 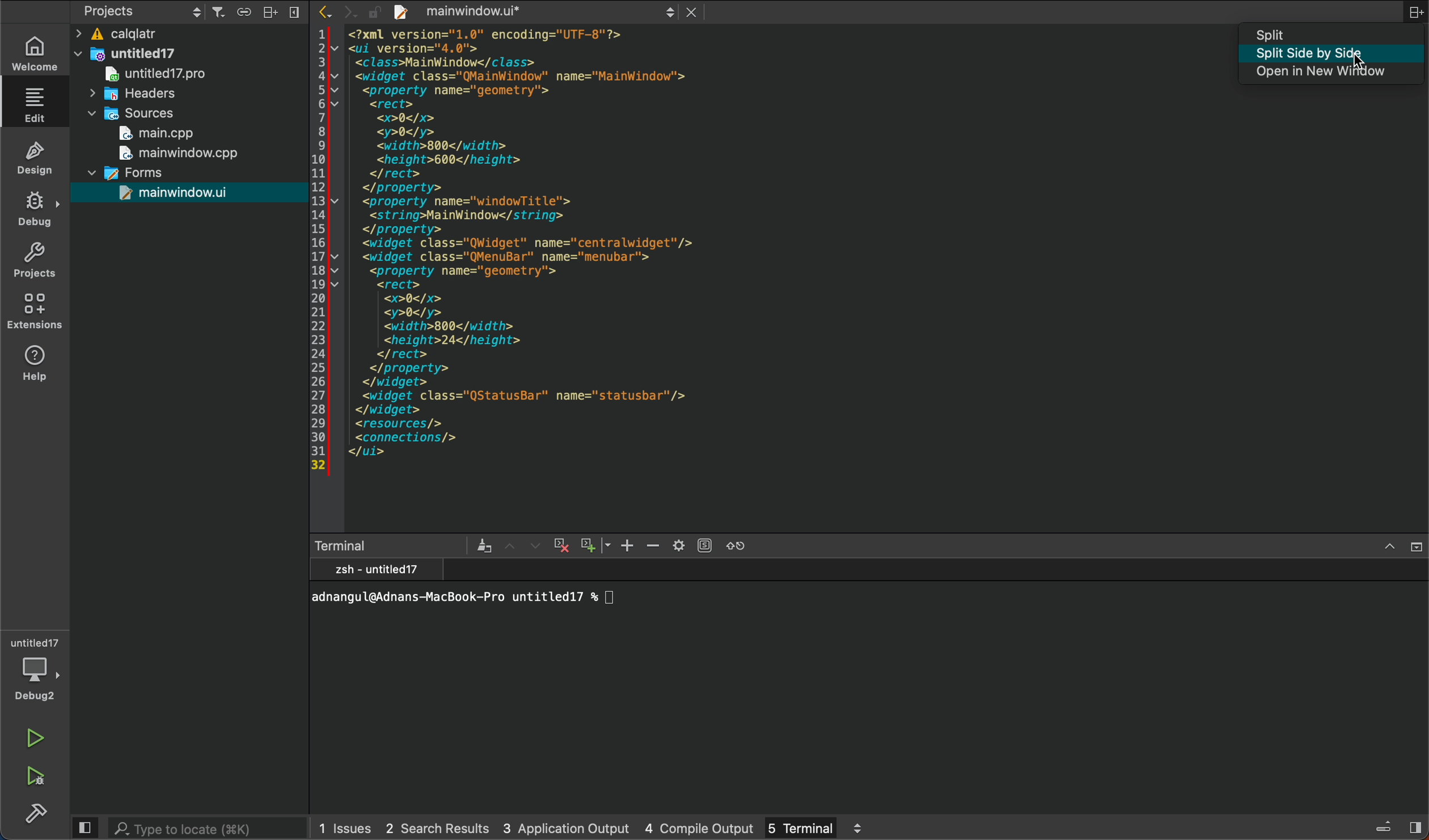 What do you see at coordinates (319, 251) in the screenshot?
I see `line number` at bounding box center [319, 251].